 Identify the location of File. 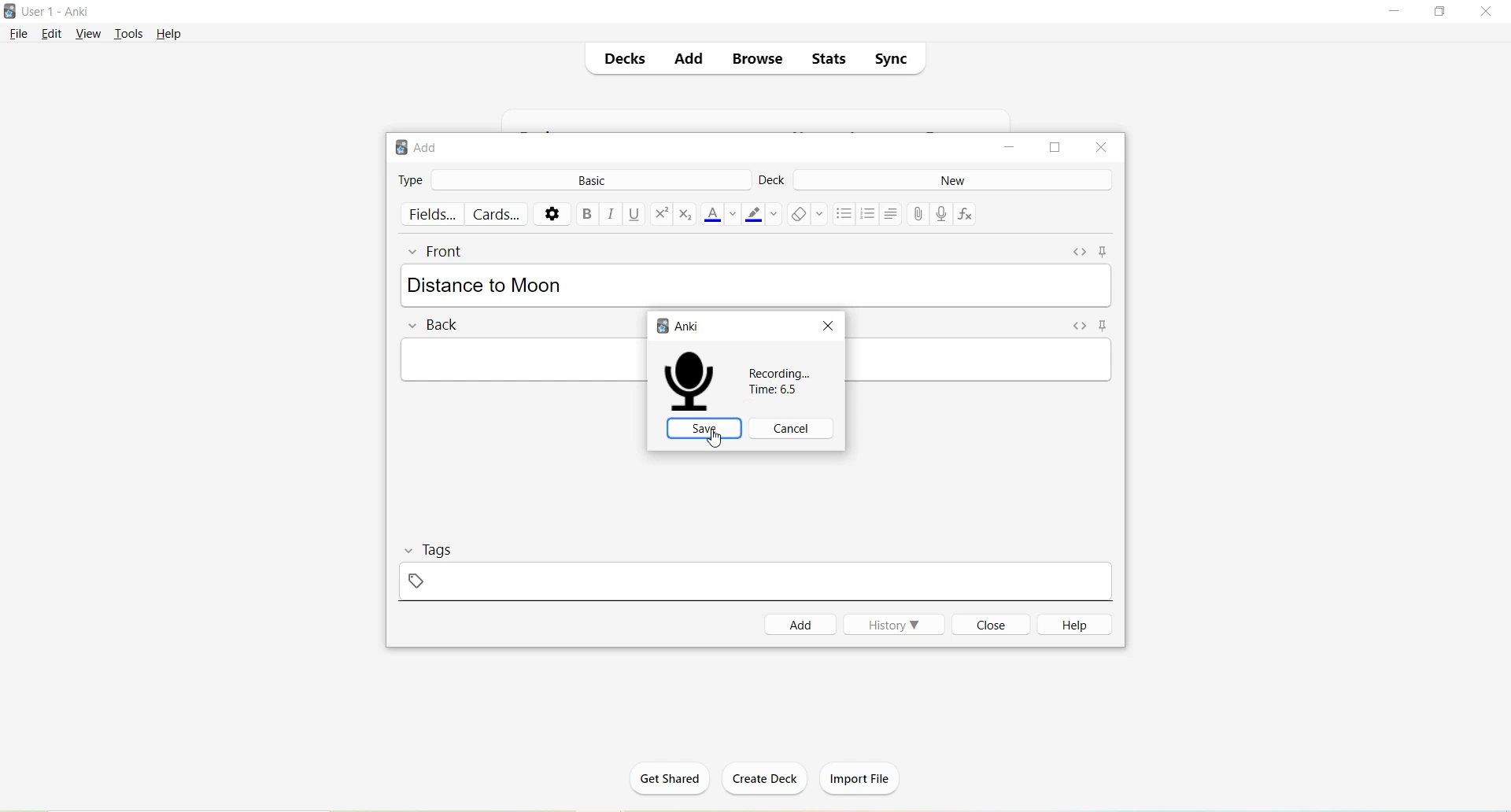
(19, 35).